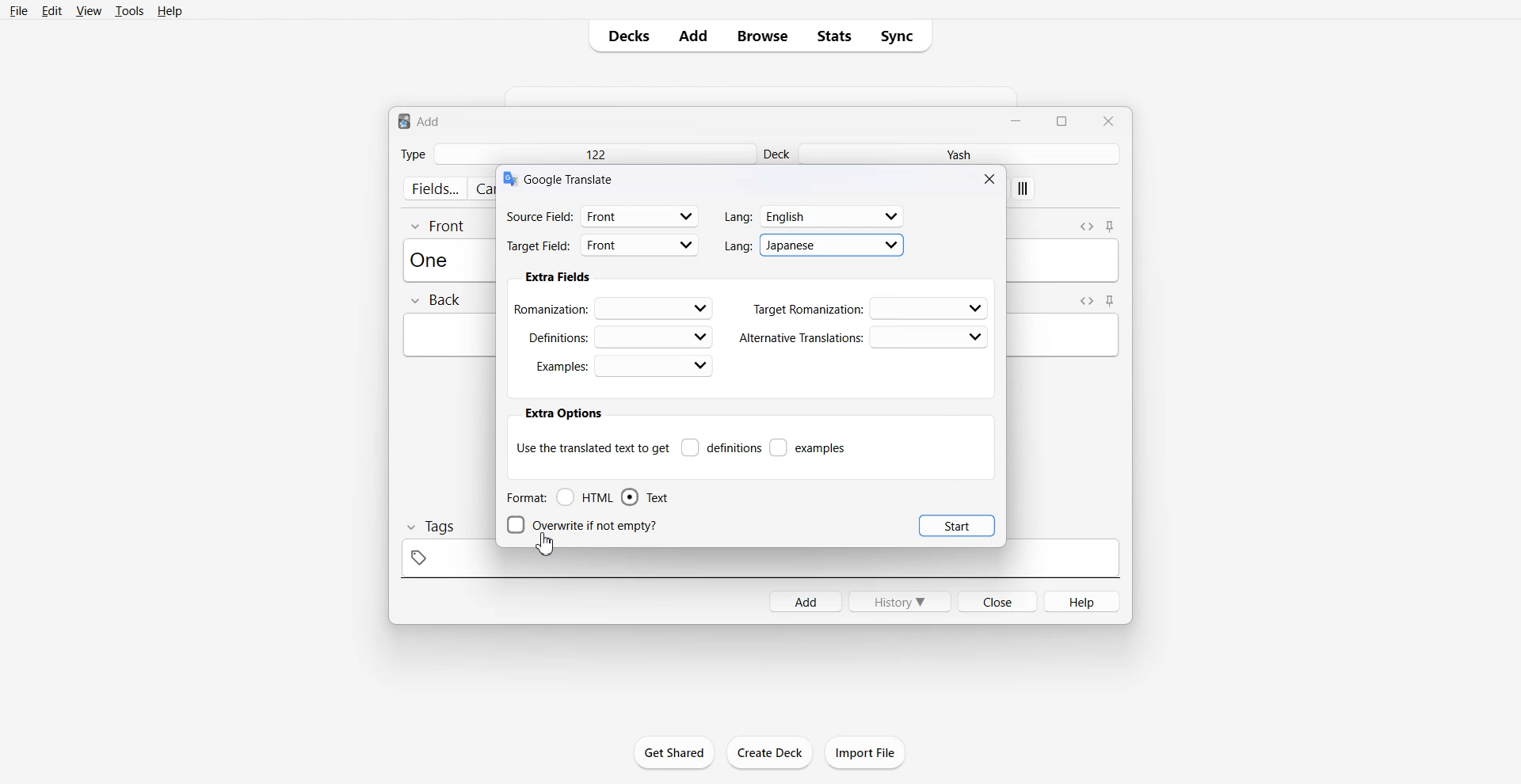  I want to click on Front, so click(439, 225).